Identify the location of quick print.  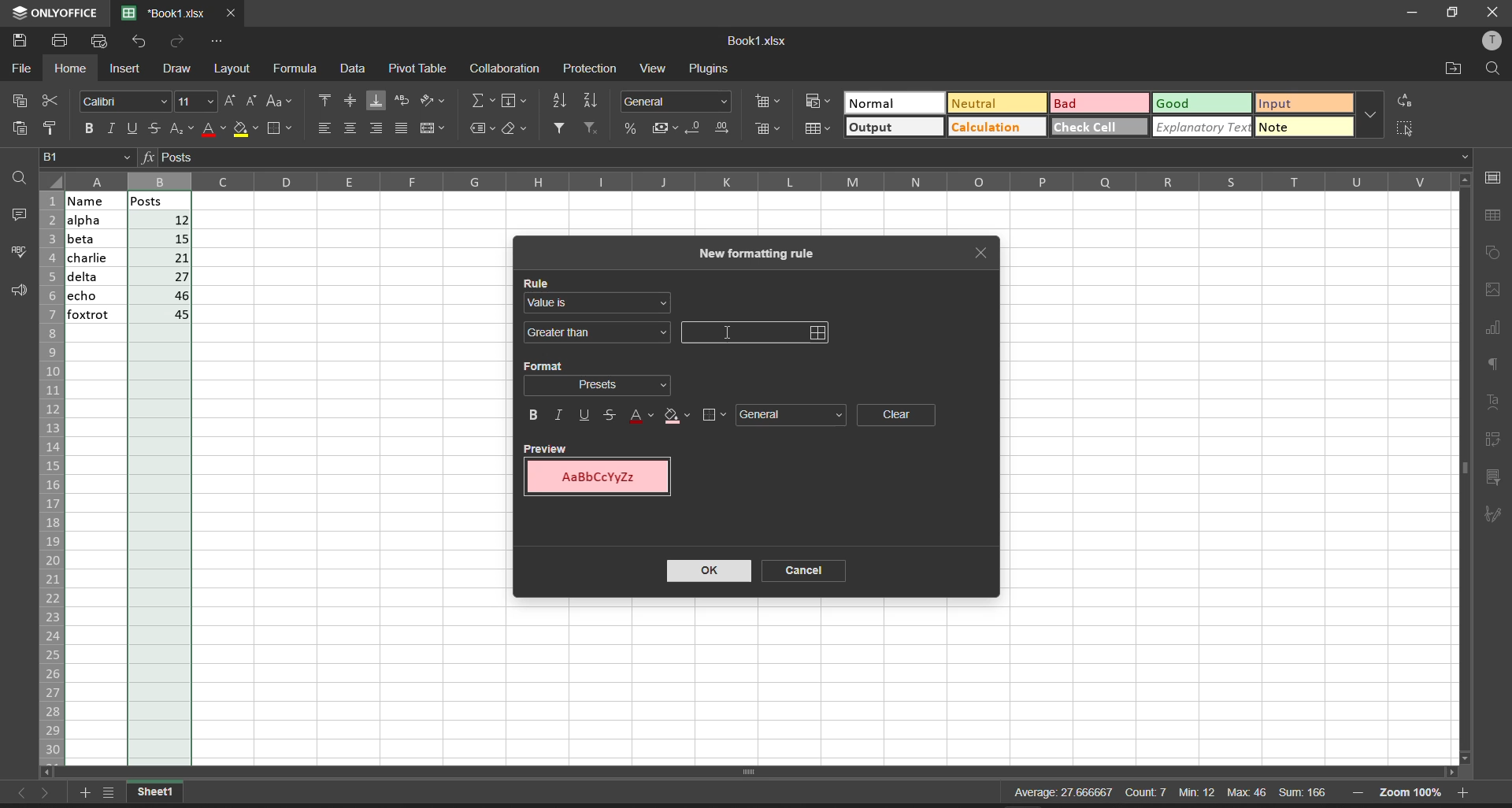
(99, 42).